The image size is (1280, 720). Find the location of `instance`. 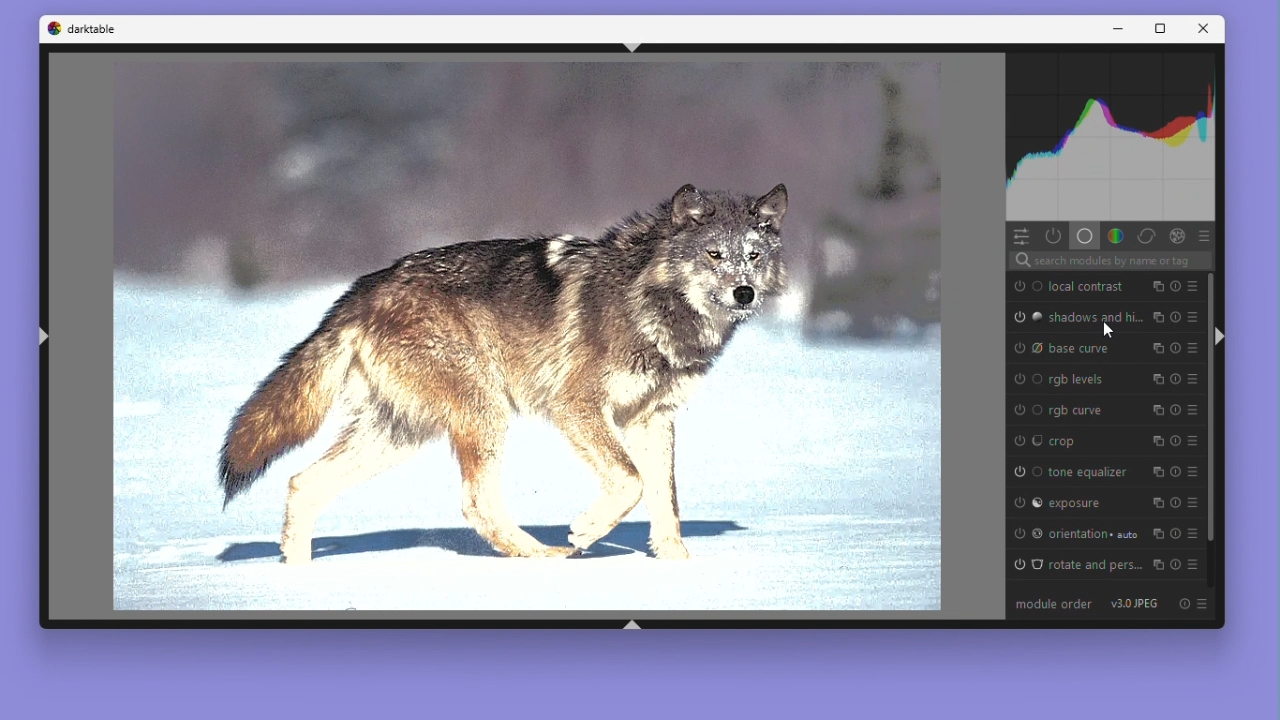

instance is located at coordinates (1156, 440).